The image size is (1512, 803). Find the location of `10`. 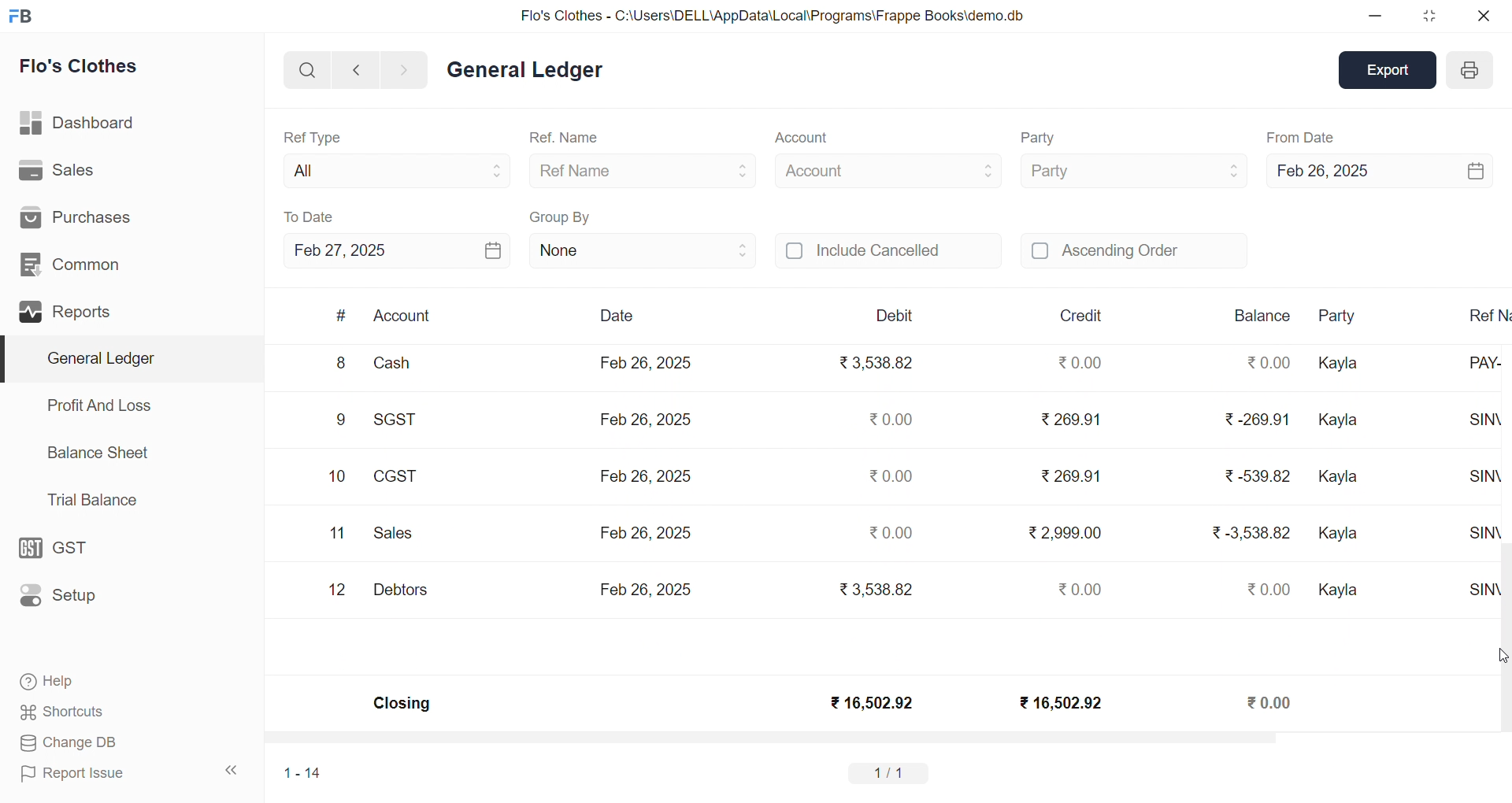

10 is located at coordinates (337, 477).